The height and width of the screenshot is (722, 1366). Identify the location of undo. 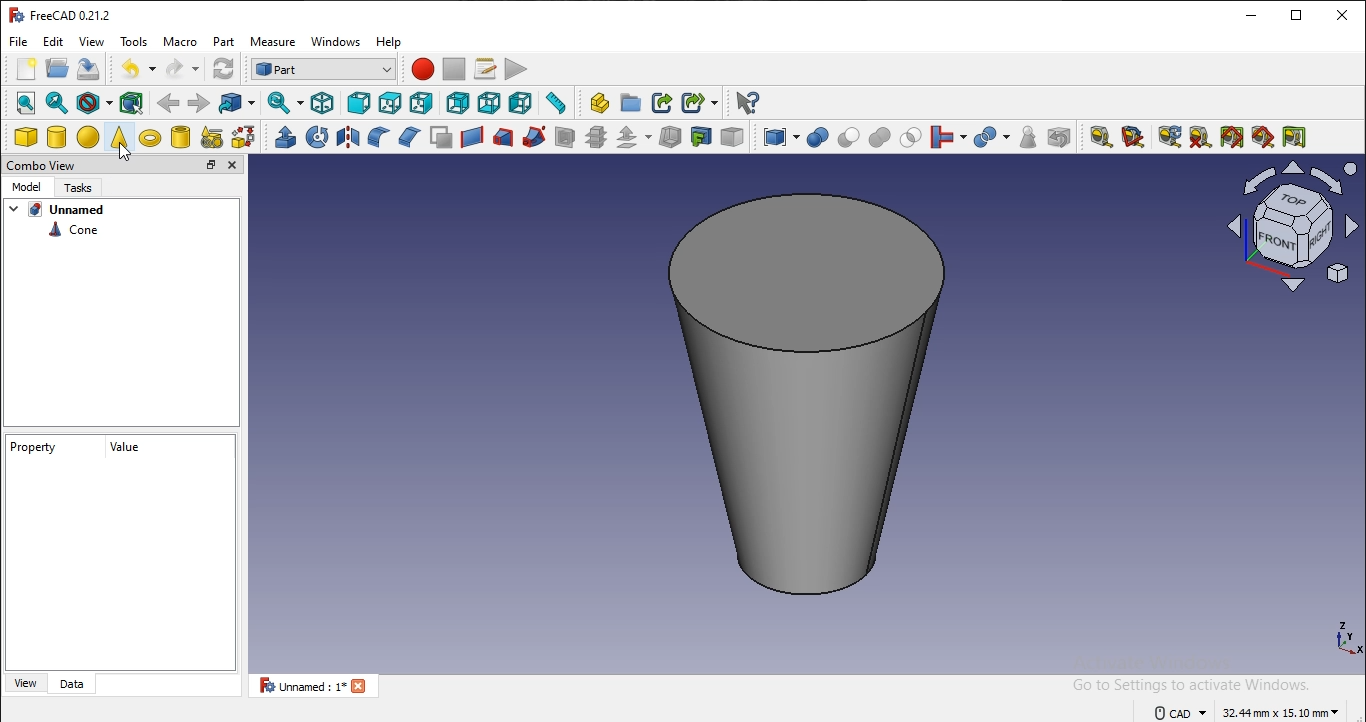
(126, 69).